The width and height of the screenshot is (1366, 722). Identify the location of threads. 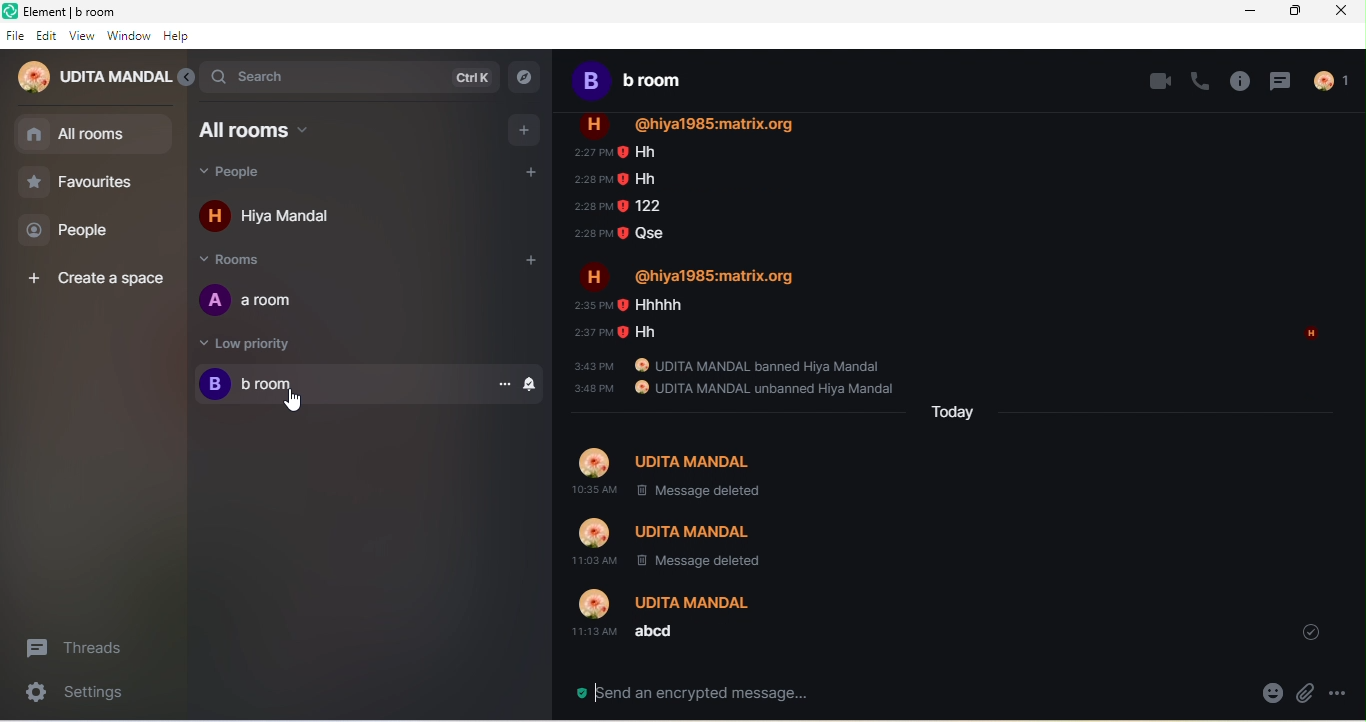
(1283, 80).